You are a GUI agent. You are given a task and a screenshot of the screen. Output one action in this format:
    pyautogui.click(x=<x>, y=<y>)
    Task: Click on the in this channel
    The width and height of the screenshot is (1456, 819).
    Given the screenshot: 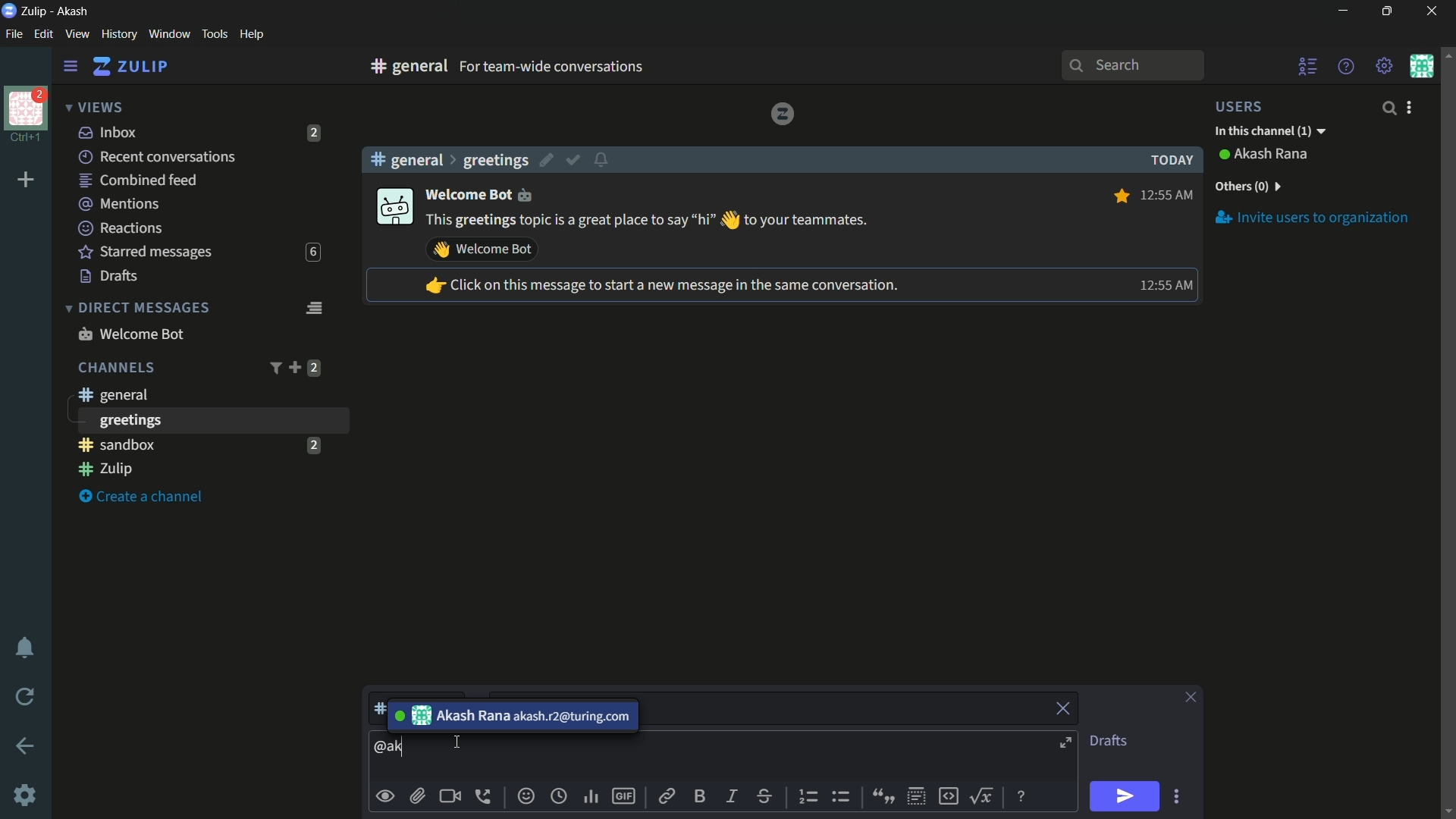 What is the action you would take?
    pyautogui.click(x=1270, y=132)
    